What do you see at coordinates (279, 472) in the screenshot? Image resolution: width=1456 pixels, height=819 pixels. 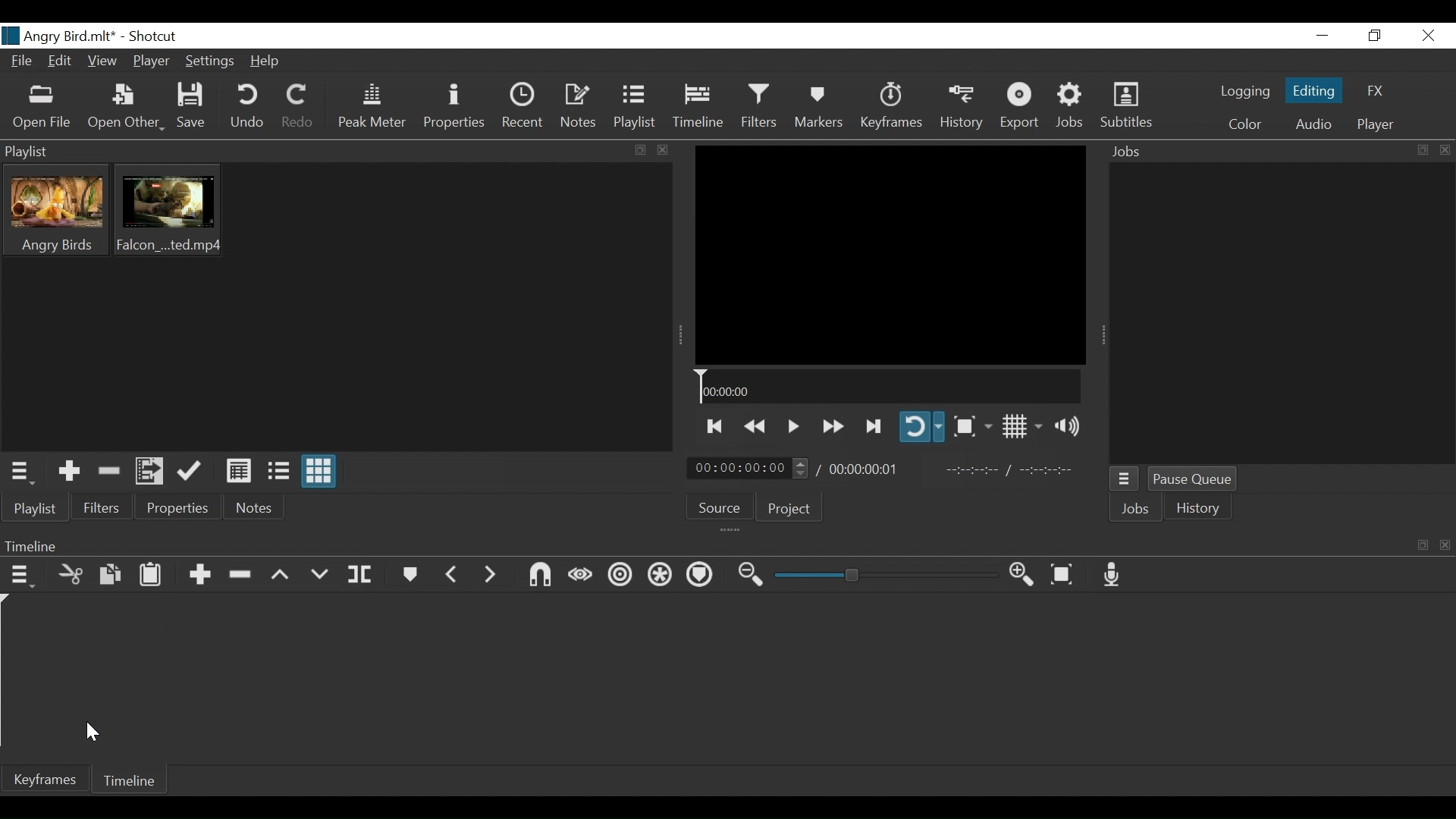 I see `View as files` at bounding box center [279, 472].